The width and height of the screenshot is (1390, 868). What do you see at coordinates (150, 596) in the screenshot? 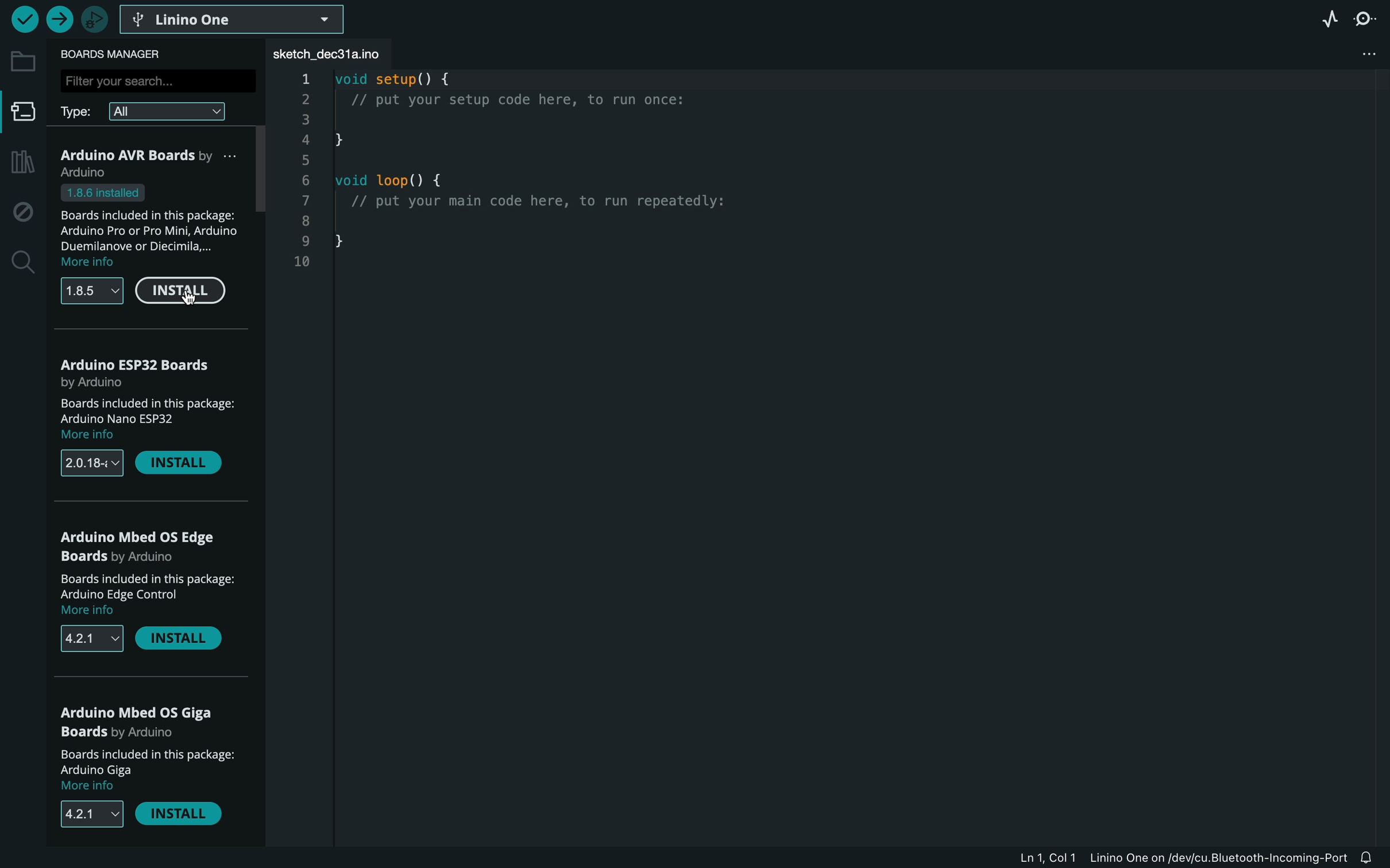
I see `description` at bounding box center [150, 596].